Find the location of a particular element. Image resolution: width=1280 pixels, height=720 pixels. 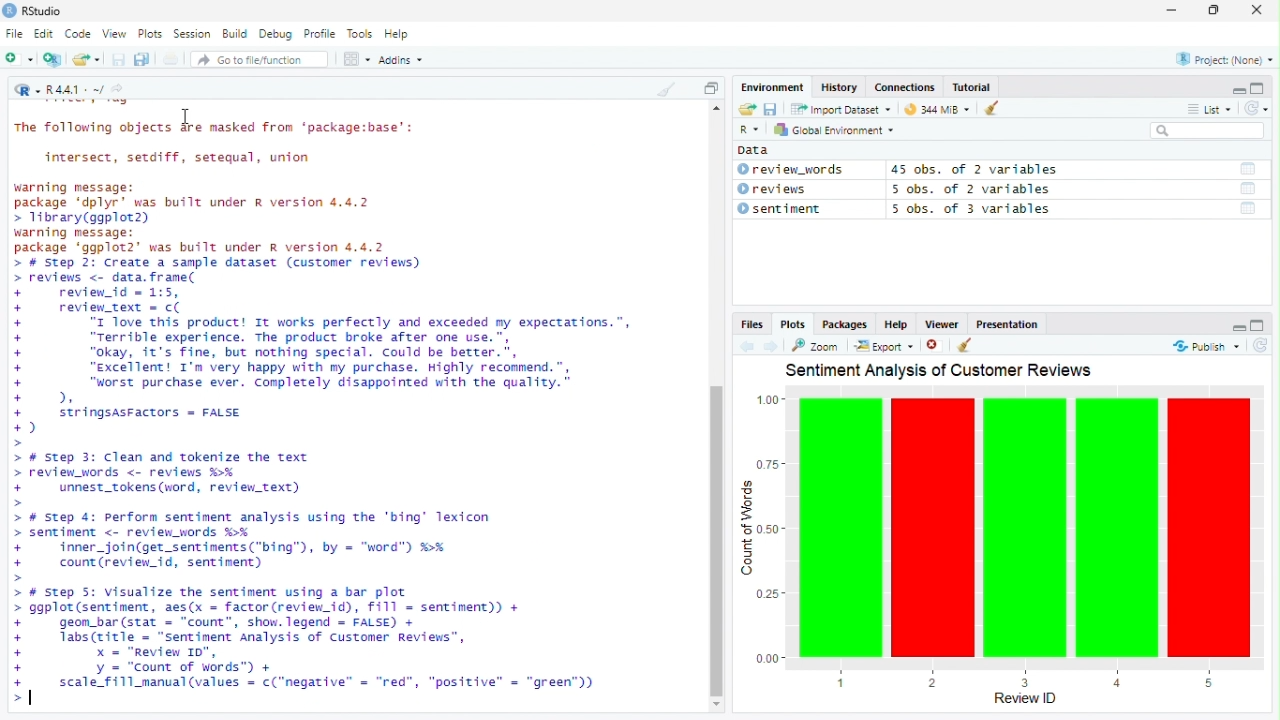

R is located at coordinates (752, 131).